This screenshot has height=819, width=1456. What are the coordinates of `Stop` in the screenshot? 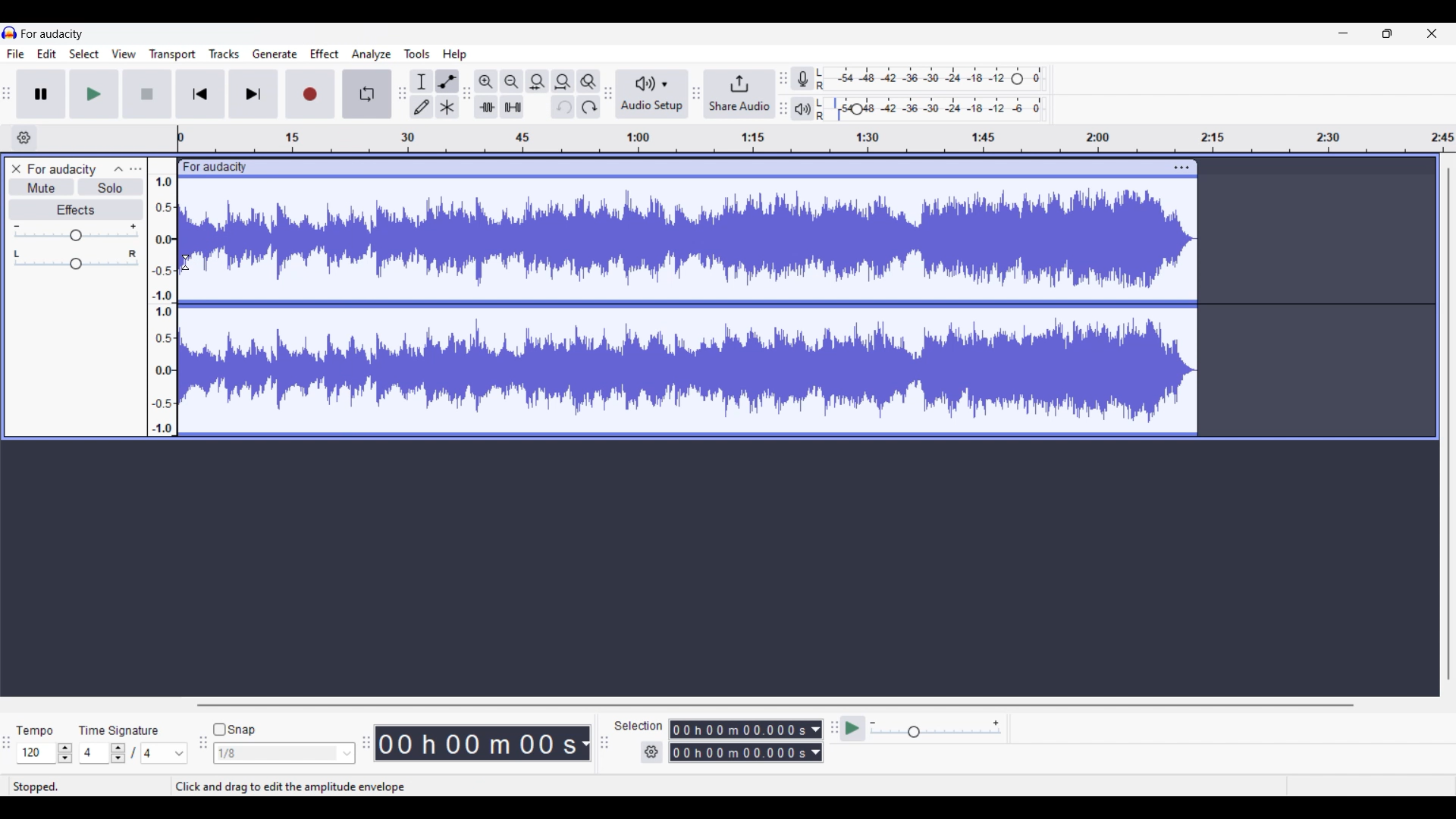 It's located at (148, 94).